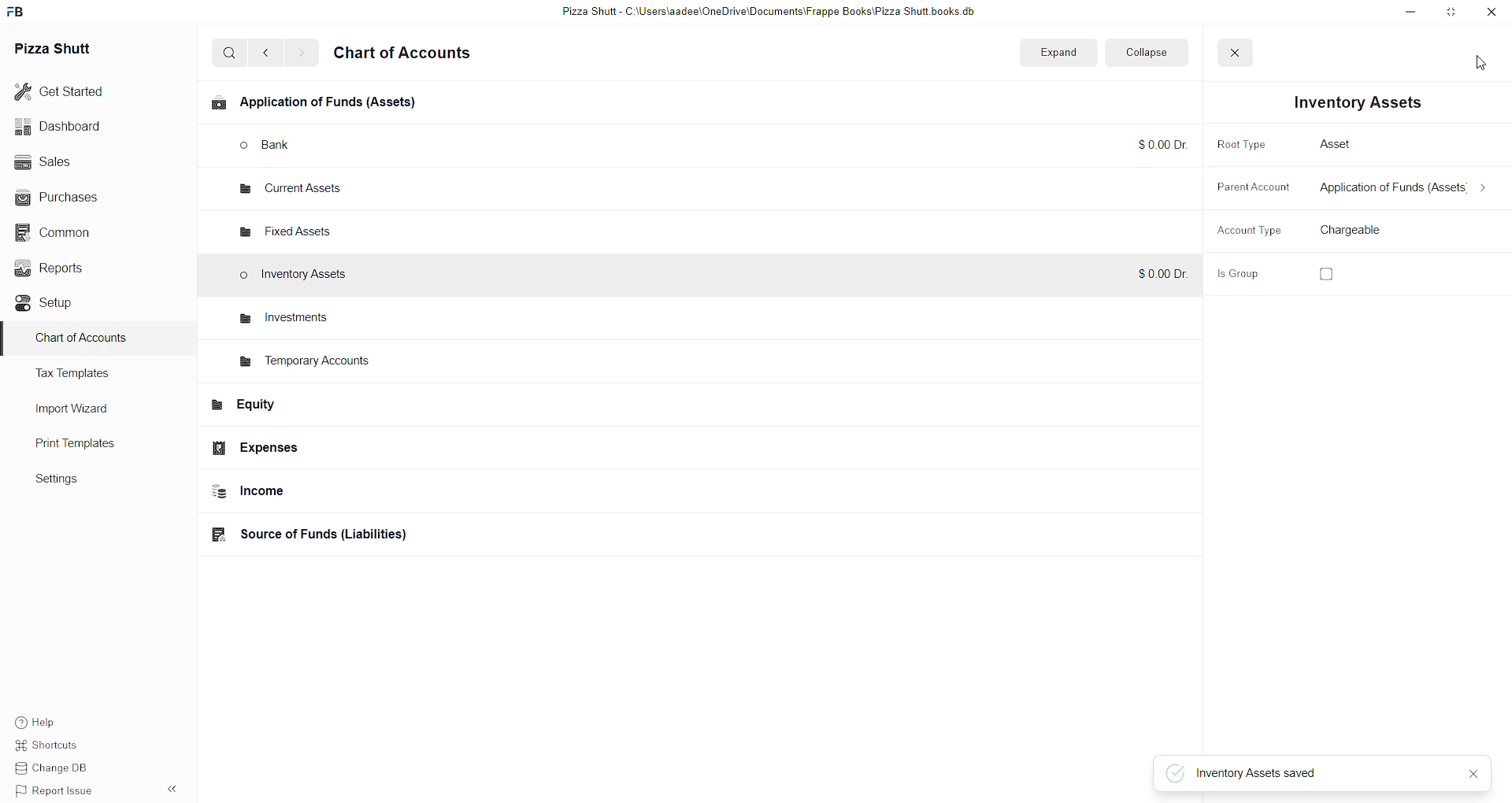 Image resolution: width=1512 pixels, height=803 pixels. I want to click on Applications of funds(Assets), so click(321, 105).